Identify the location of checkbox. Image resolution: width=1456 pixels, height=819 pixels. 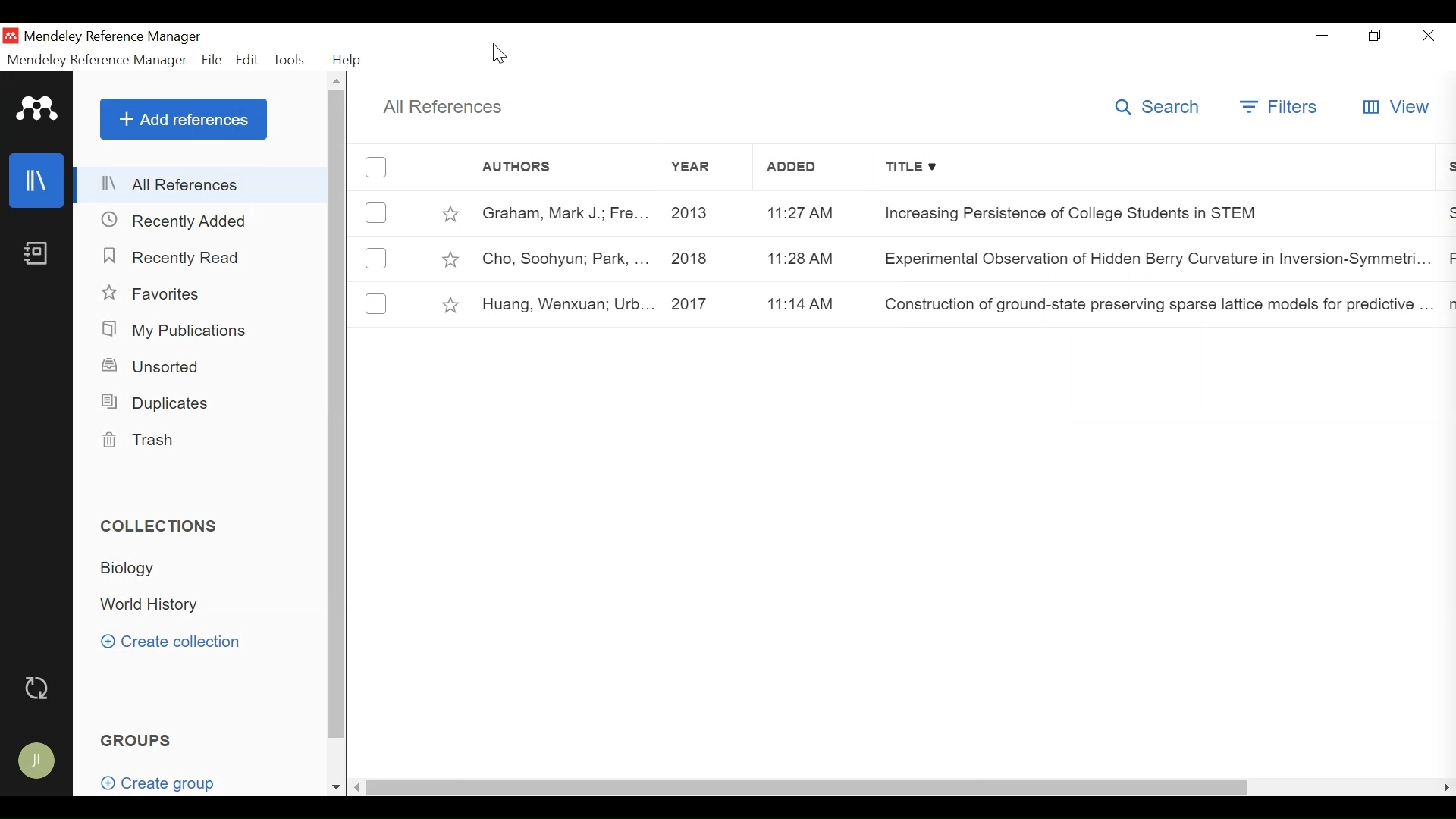
(375, 166).